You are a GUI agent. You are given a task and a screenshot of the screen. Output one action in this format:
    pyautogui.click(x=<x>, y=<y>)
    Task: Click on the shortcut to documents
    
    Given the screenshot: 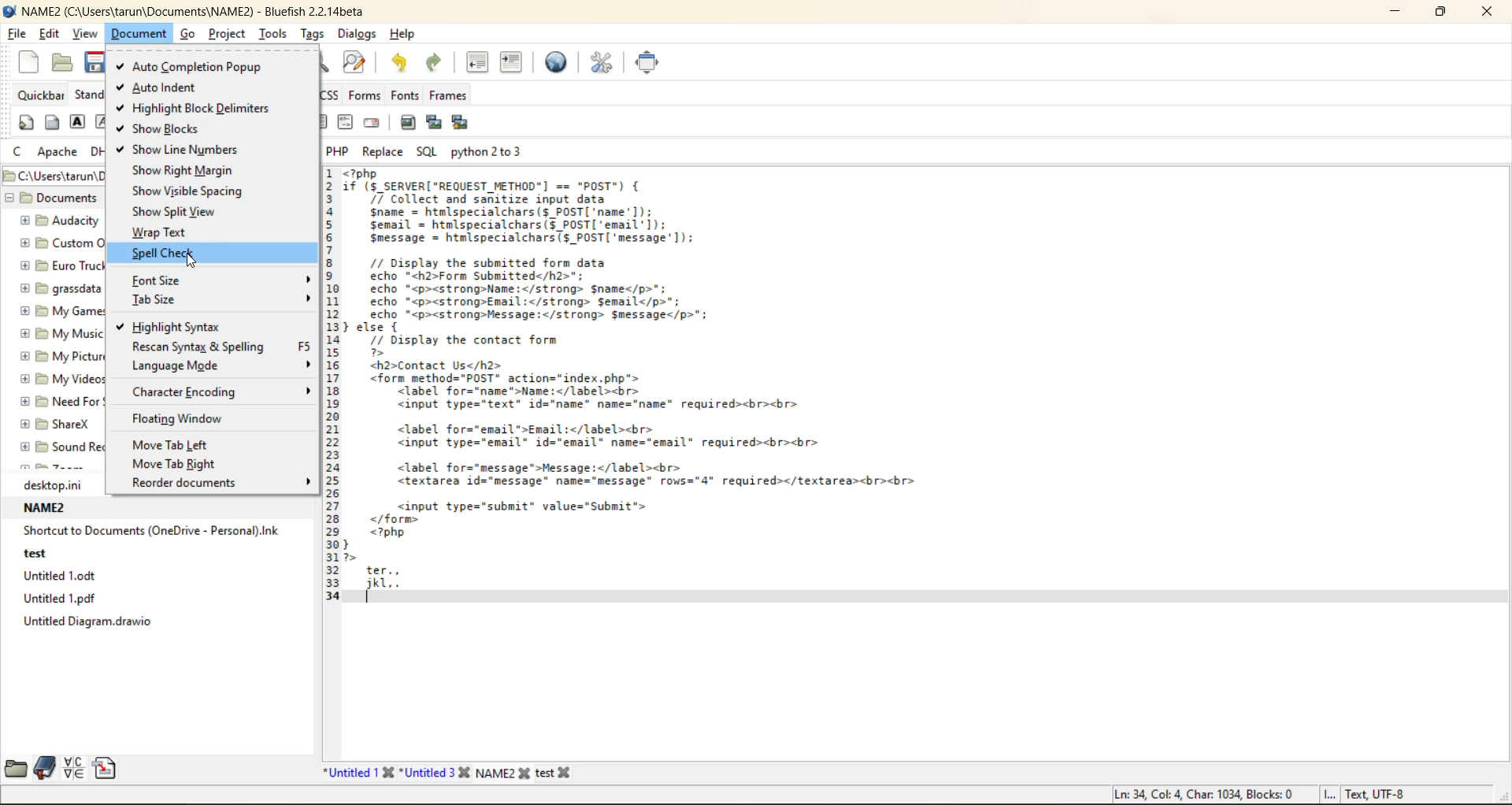 What is the action you would take?
    pyautogui.click(x=152, y=532)
    